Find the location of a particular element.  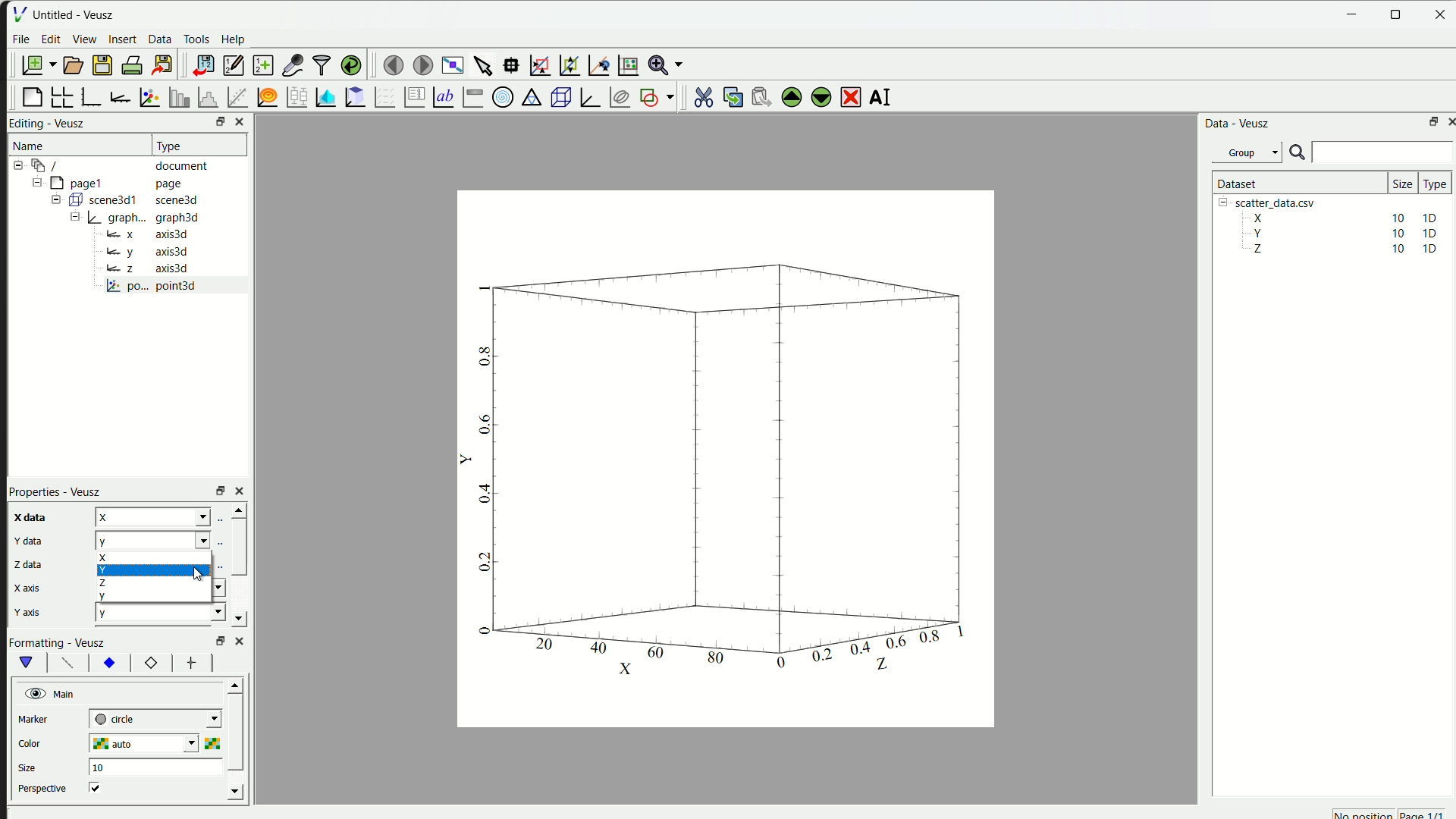

perspective is located at coordinates (42, 789).